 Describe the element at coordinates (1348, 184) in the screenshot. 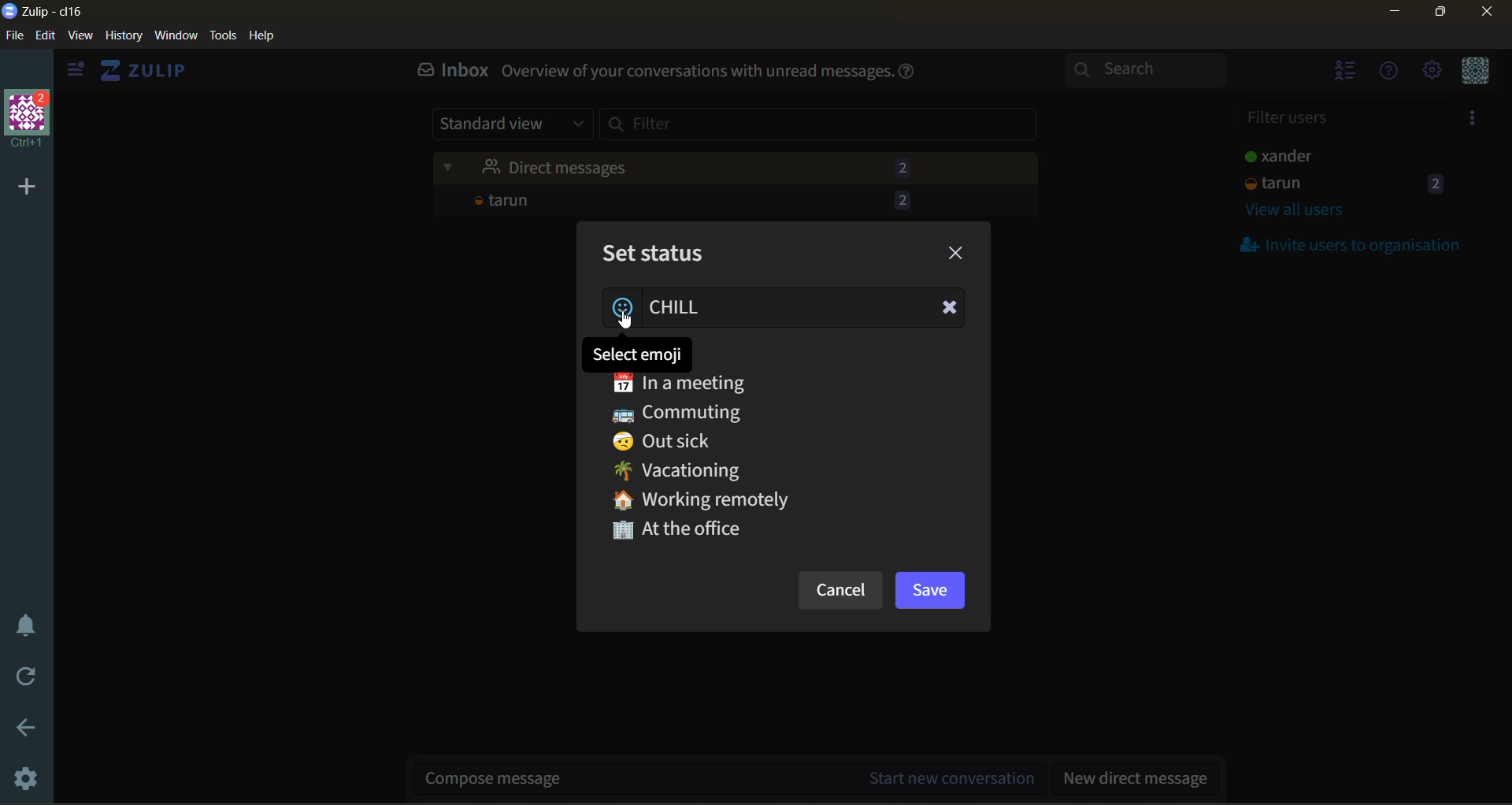

I see `tarun` at that location.